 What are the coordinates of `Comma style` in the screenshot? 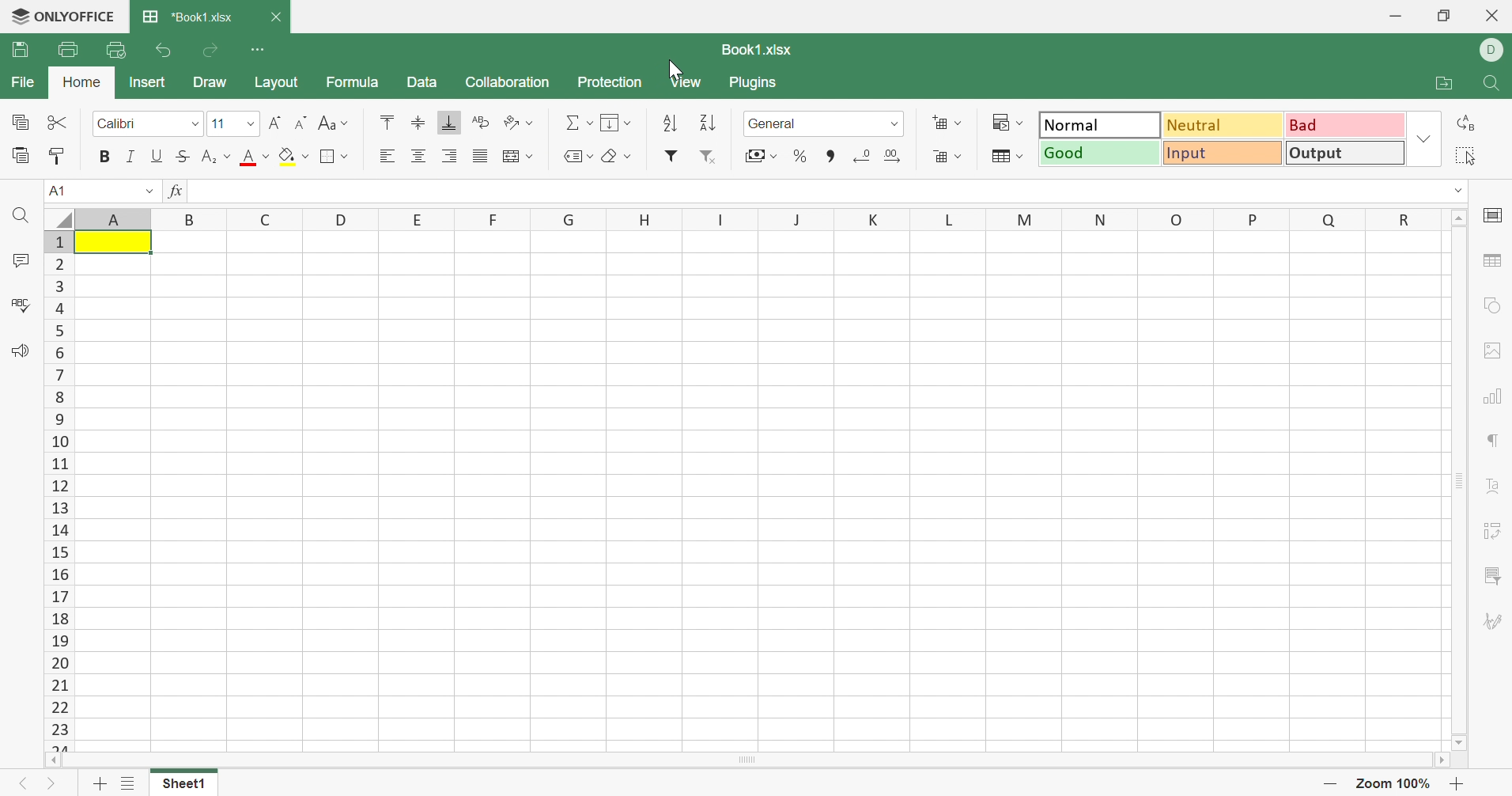 It's located at (833, 160).